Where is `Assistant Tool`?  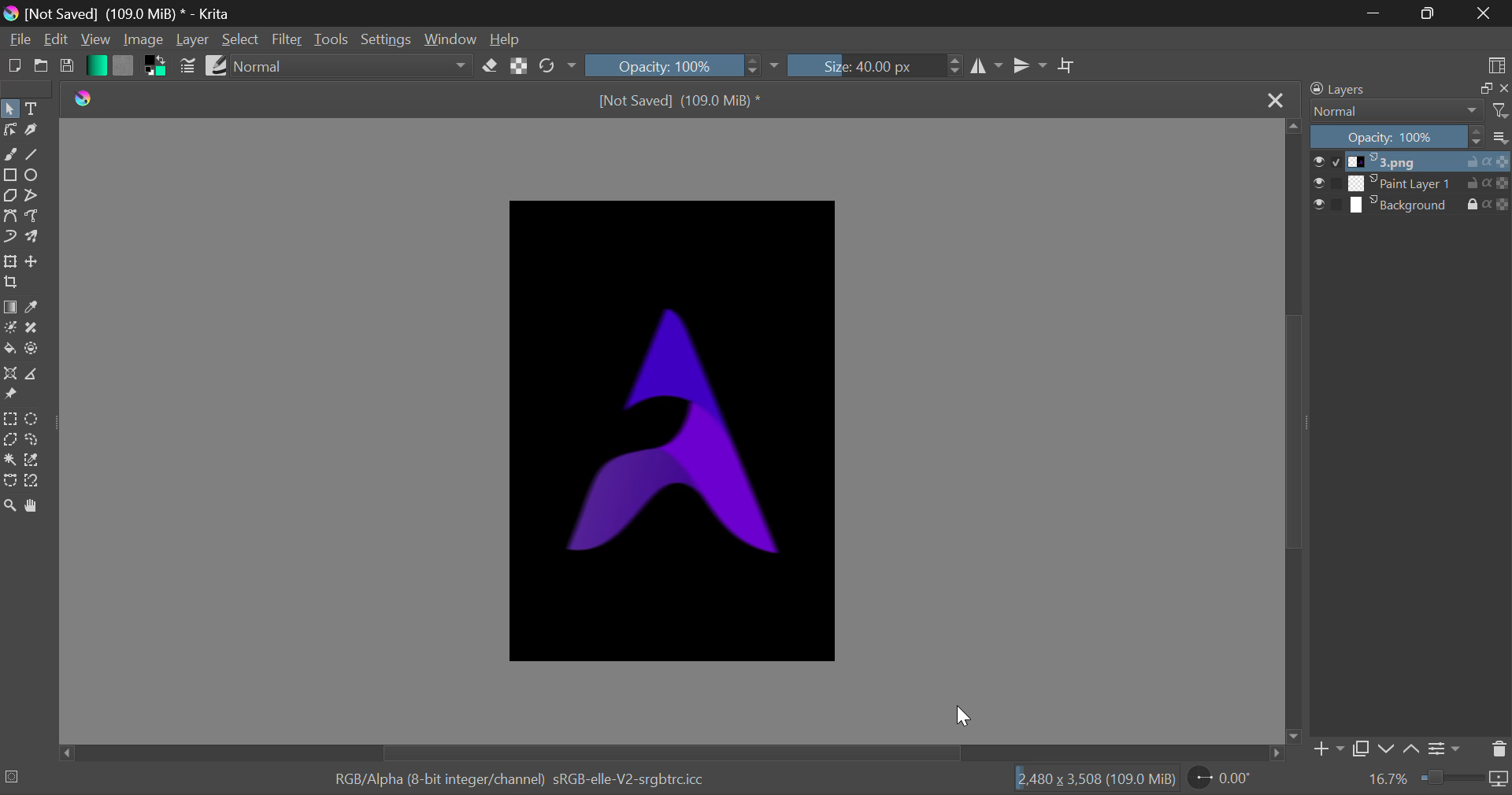
Assistant Tool is located at coordinates (9, 374).